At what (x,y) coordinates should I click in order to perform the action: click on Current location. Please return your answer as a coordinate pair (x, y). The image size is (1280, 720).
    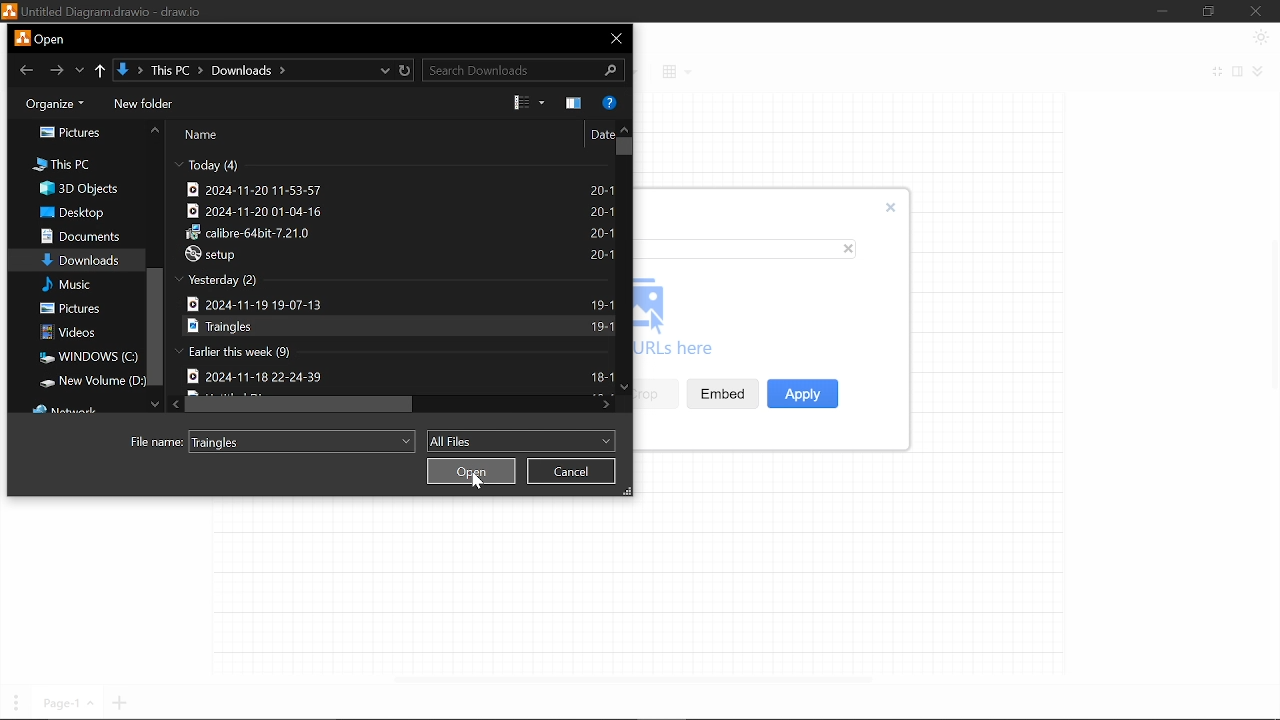
    Looking at the image, I should click on (386, 72).